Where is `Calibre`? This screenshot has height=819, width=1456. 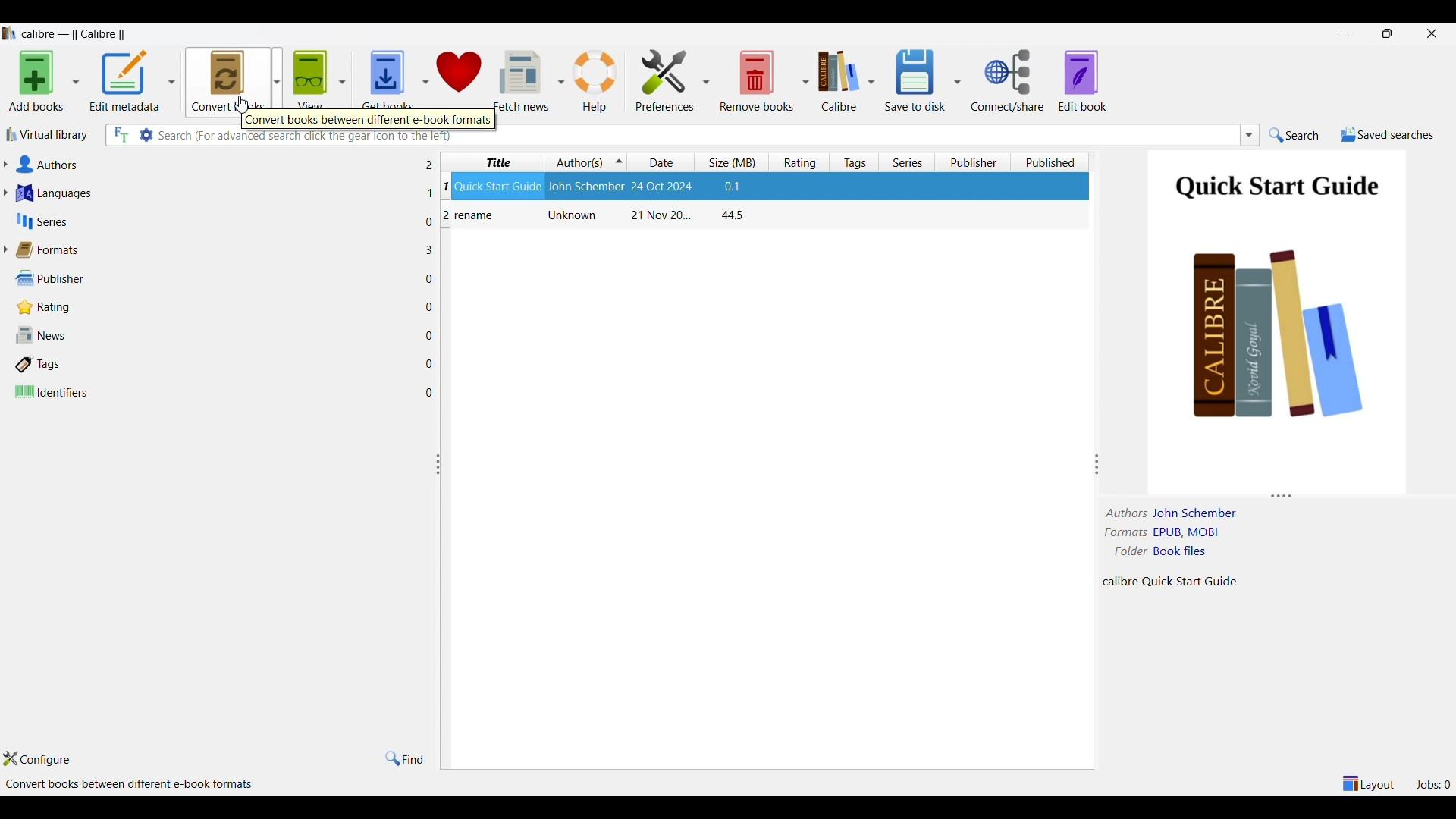
Calibre is located at coordinates (838, 82).